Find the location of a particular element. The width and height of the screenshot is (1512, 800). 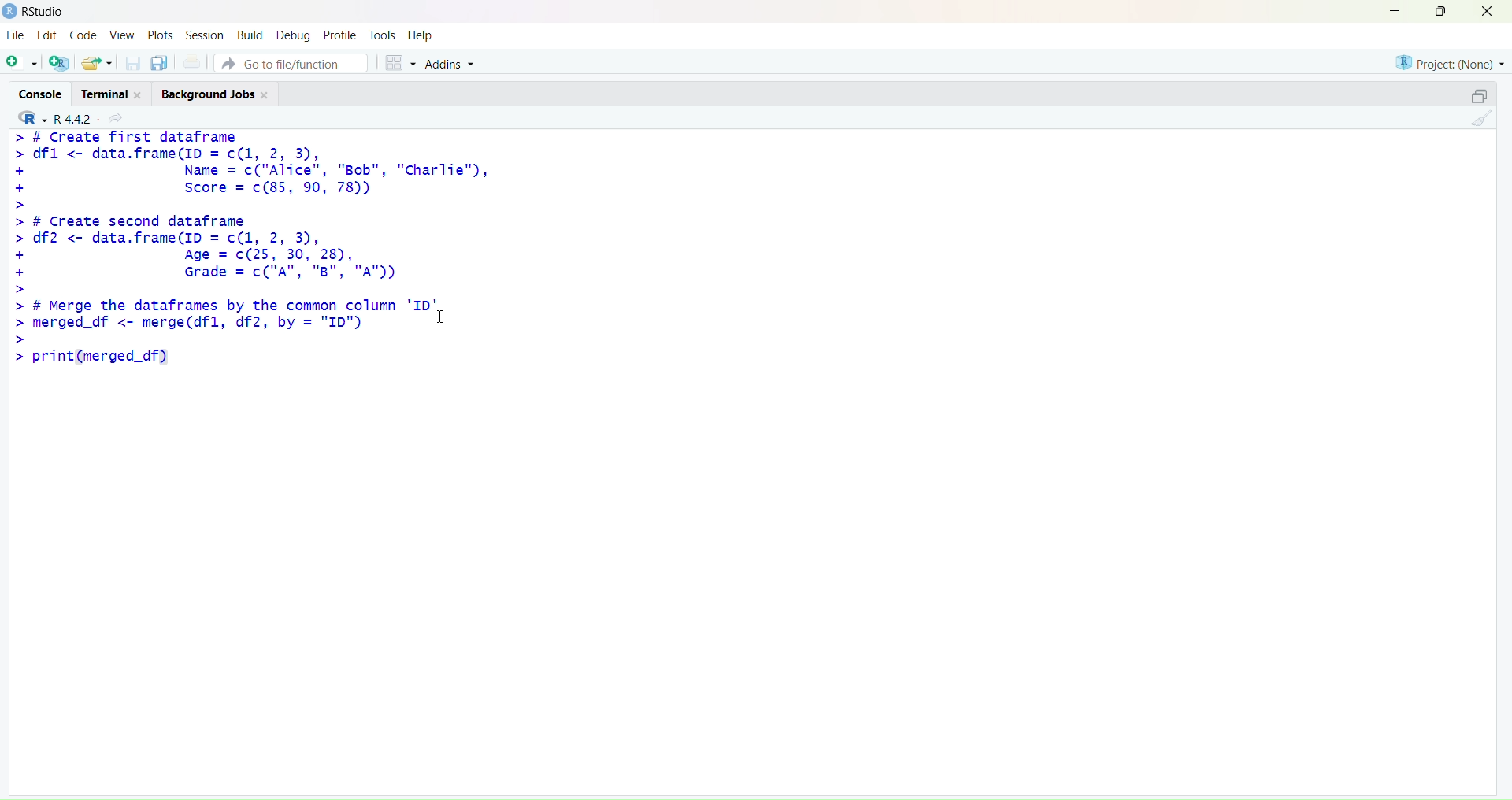

workspace panes is located at coordinates (400, 62).